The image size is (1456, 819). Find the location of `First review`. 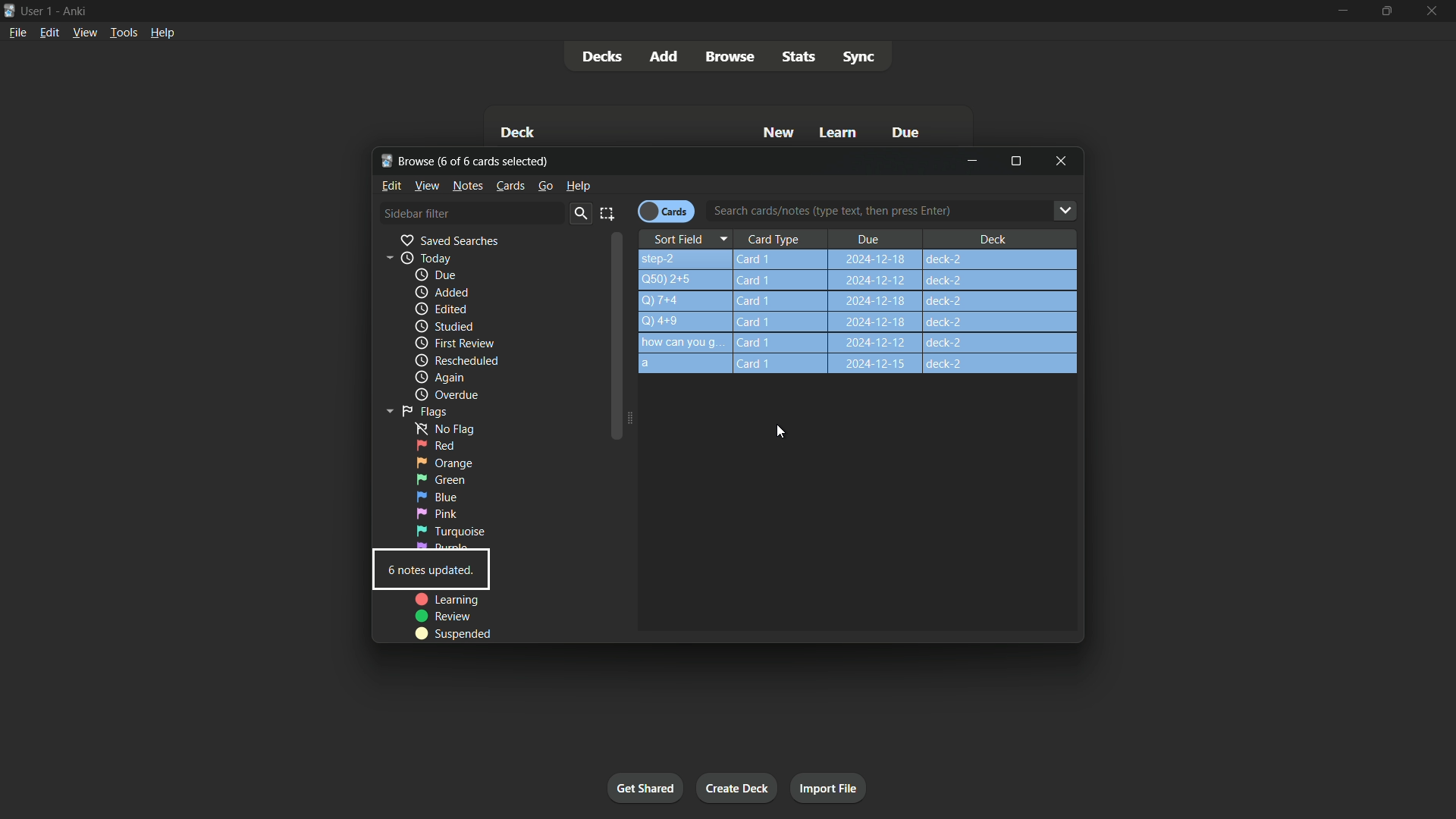

First review is located at coordinates (454, 343).